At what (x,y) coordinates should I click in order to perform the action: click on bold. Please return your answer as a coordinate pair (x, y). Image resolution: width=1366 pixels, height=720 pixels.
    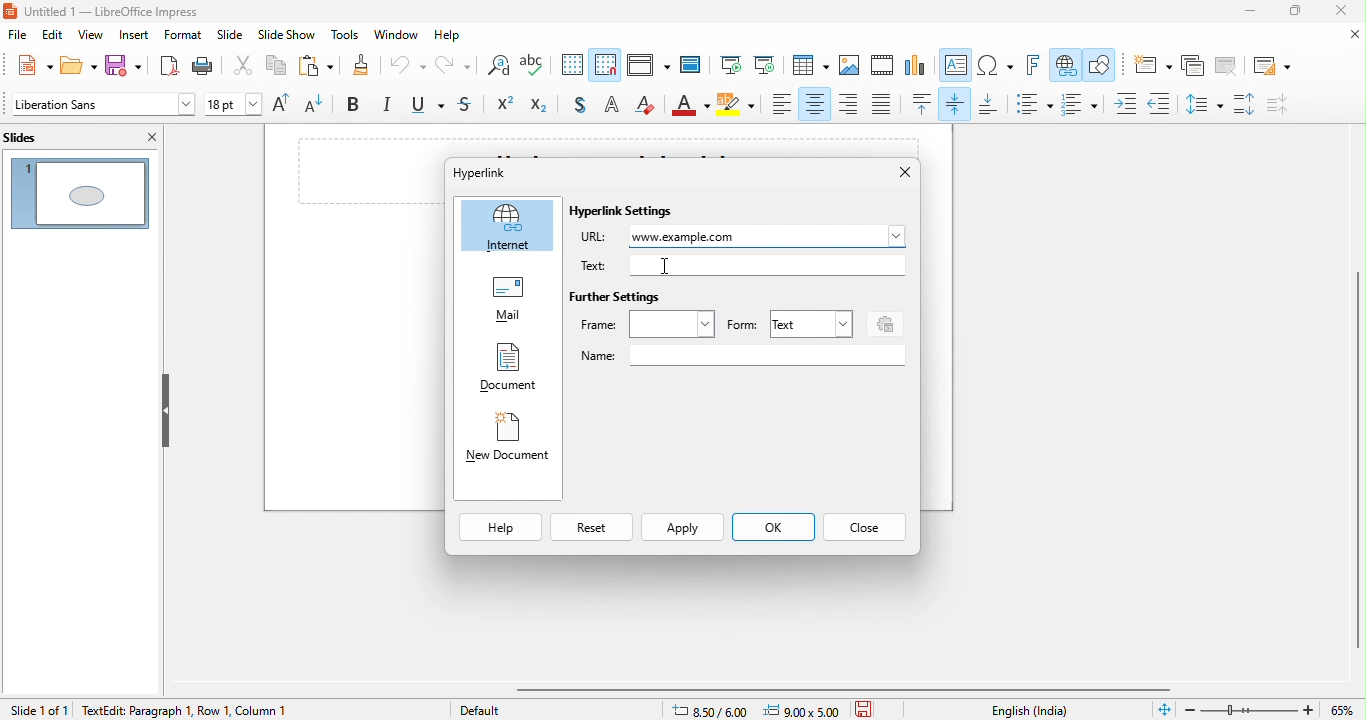
    Looking at the image, I should click on (357, 106).